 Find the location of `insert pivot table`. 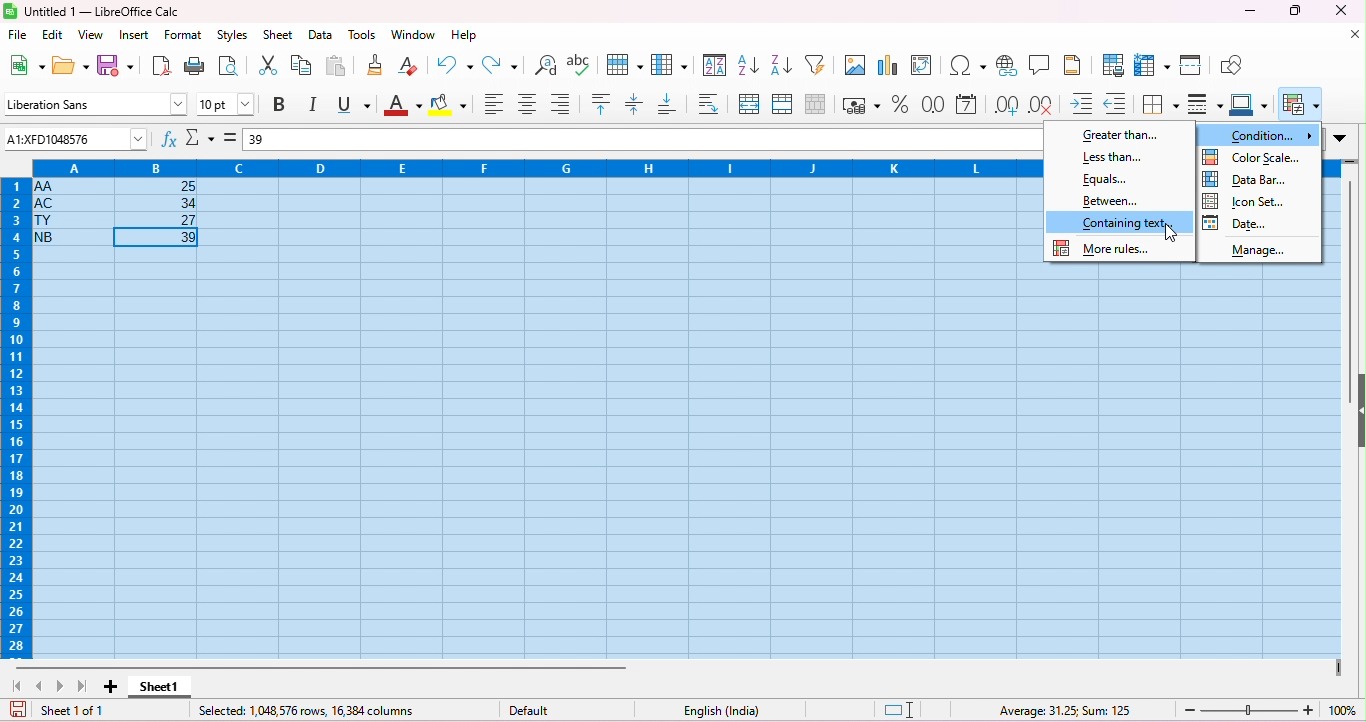

insert pivot table is located at coordinates (925, 64).